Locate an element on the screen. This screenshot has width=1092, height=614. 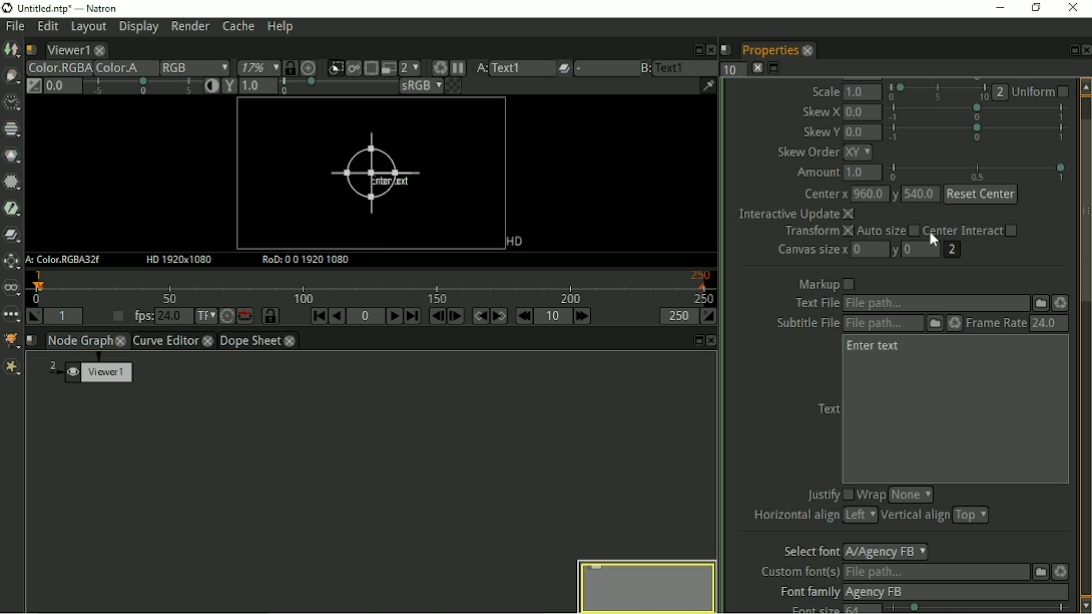
Render is located at coordinates (191, 28).